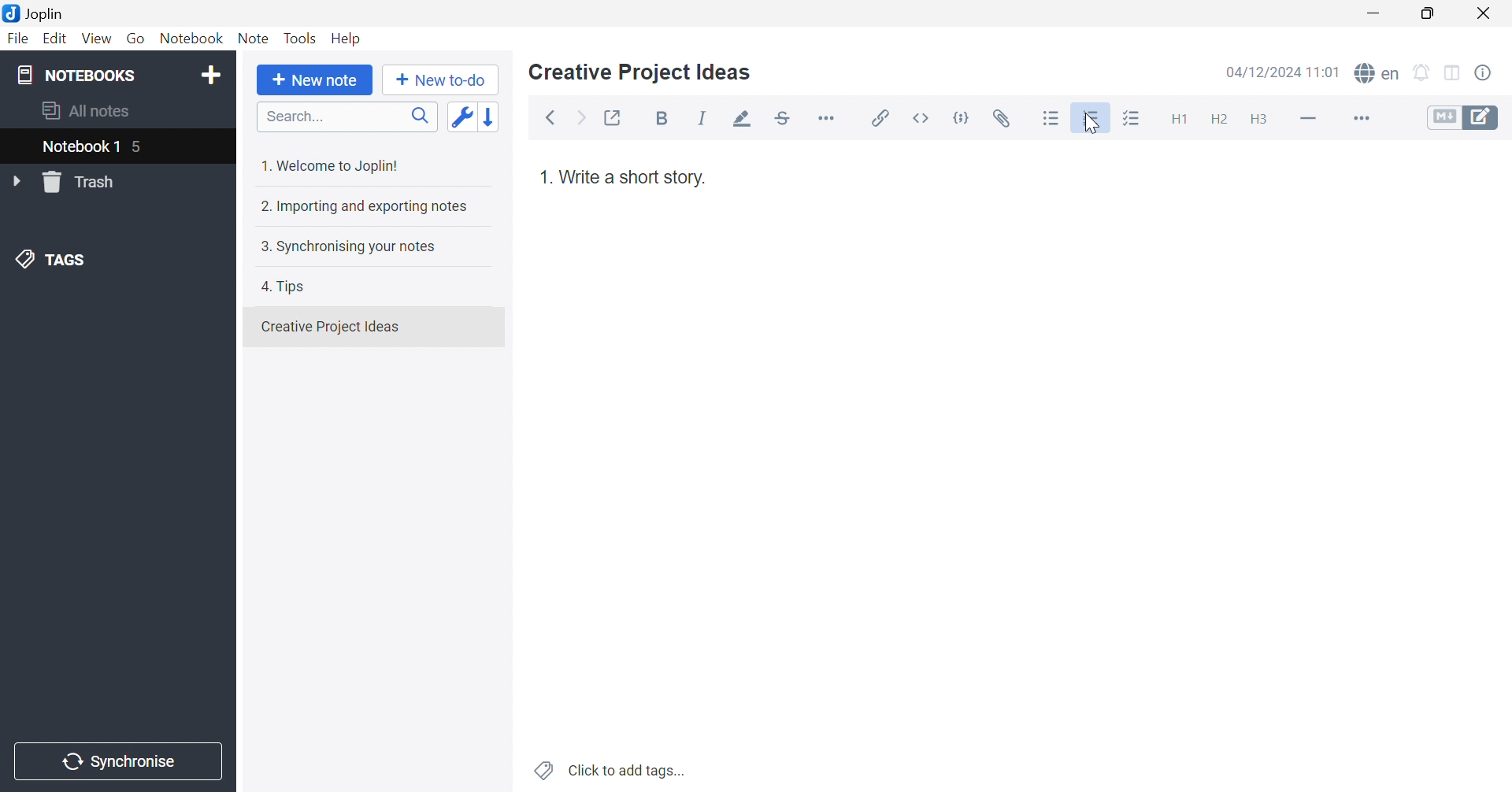 The height and width of the screenshot is (792, 1512). Describe the element at coordinates (37, 12) in the screenshot. I see `Joplin` at that location.